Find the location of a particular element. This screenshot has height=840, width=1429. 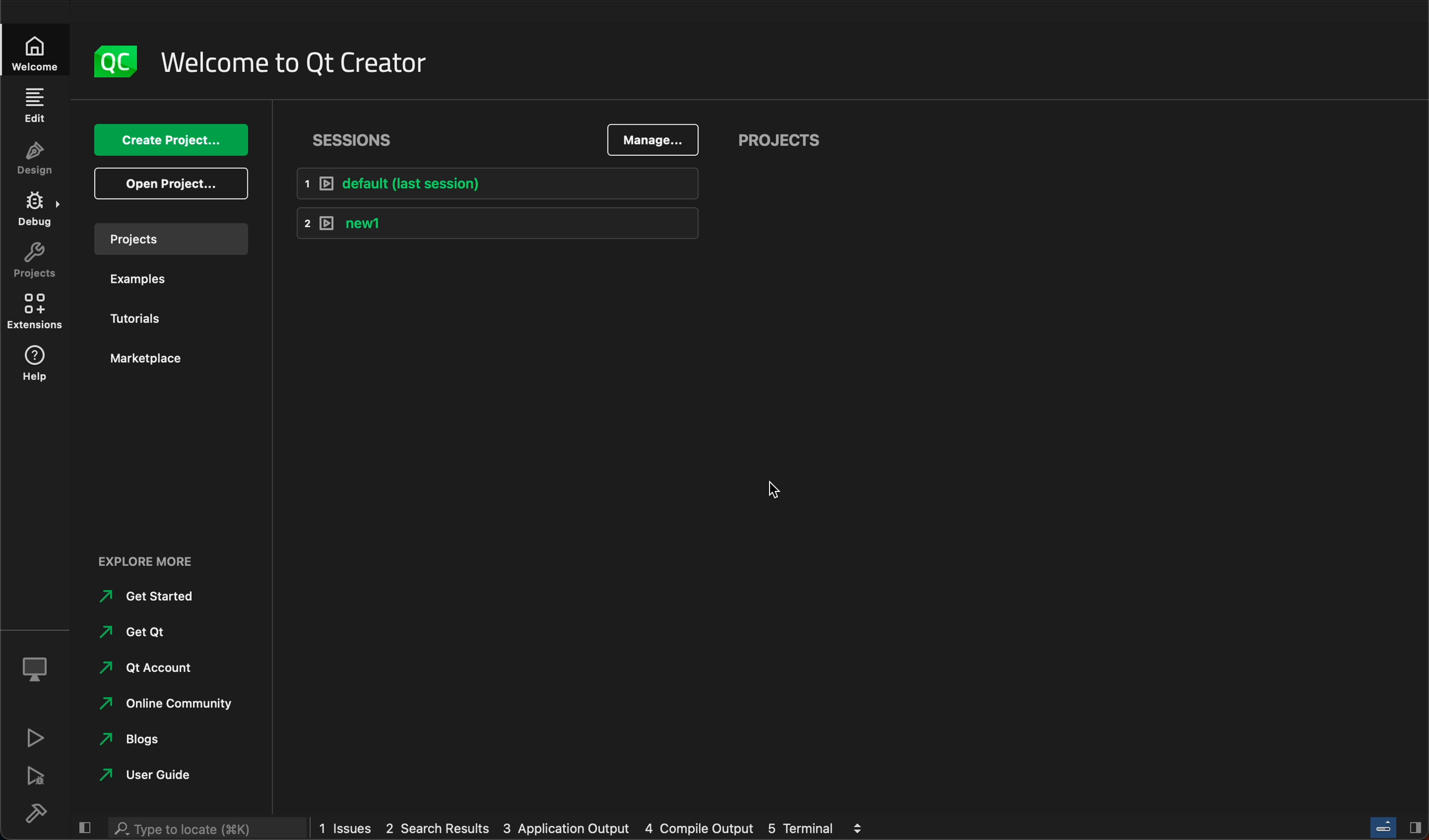

edit is located at coordinates (35, 105).